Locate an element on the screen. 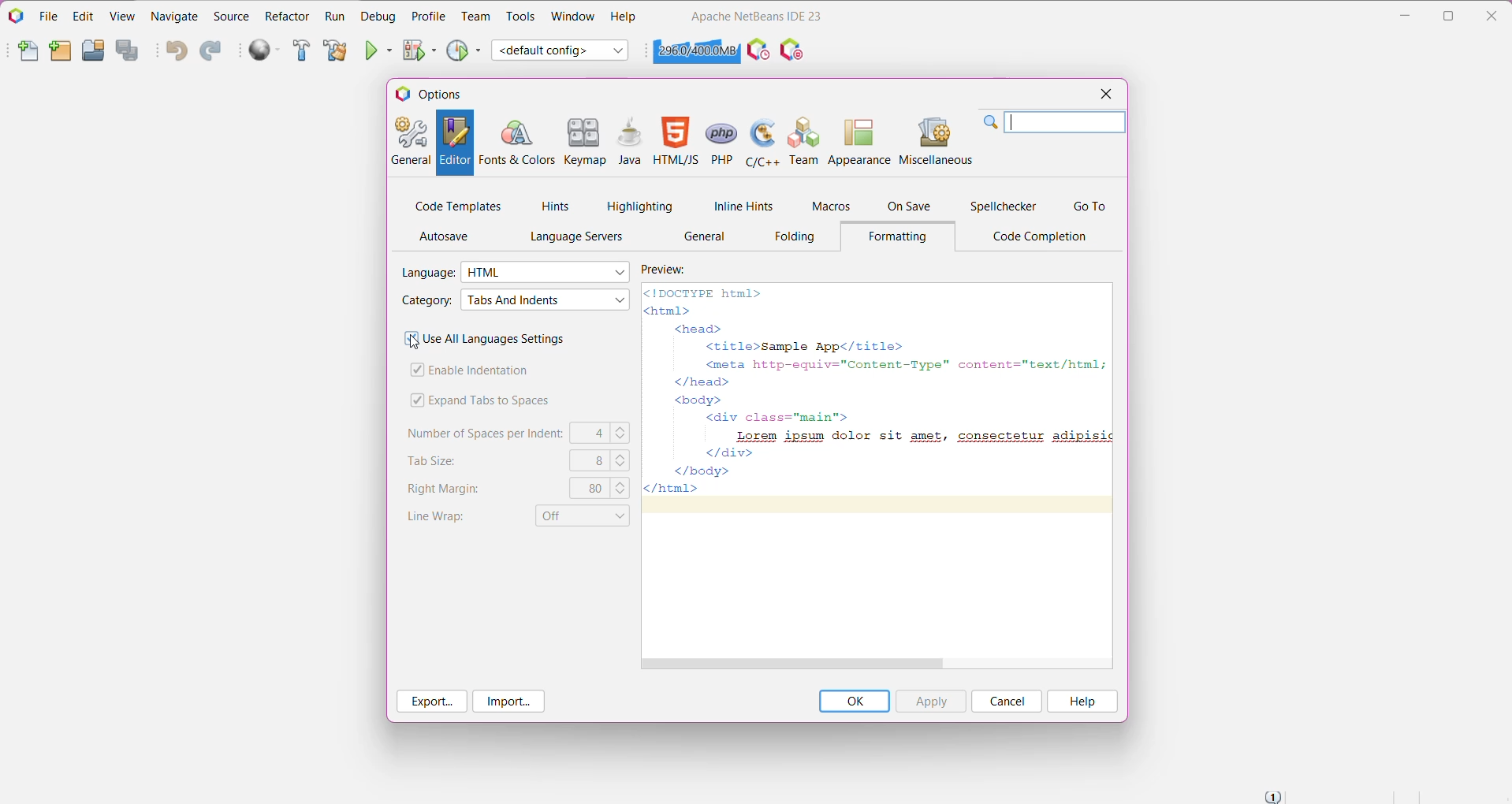 This screenshot has width=1512, height=804. Window is located at coordinates (572, 16).